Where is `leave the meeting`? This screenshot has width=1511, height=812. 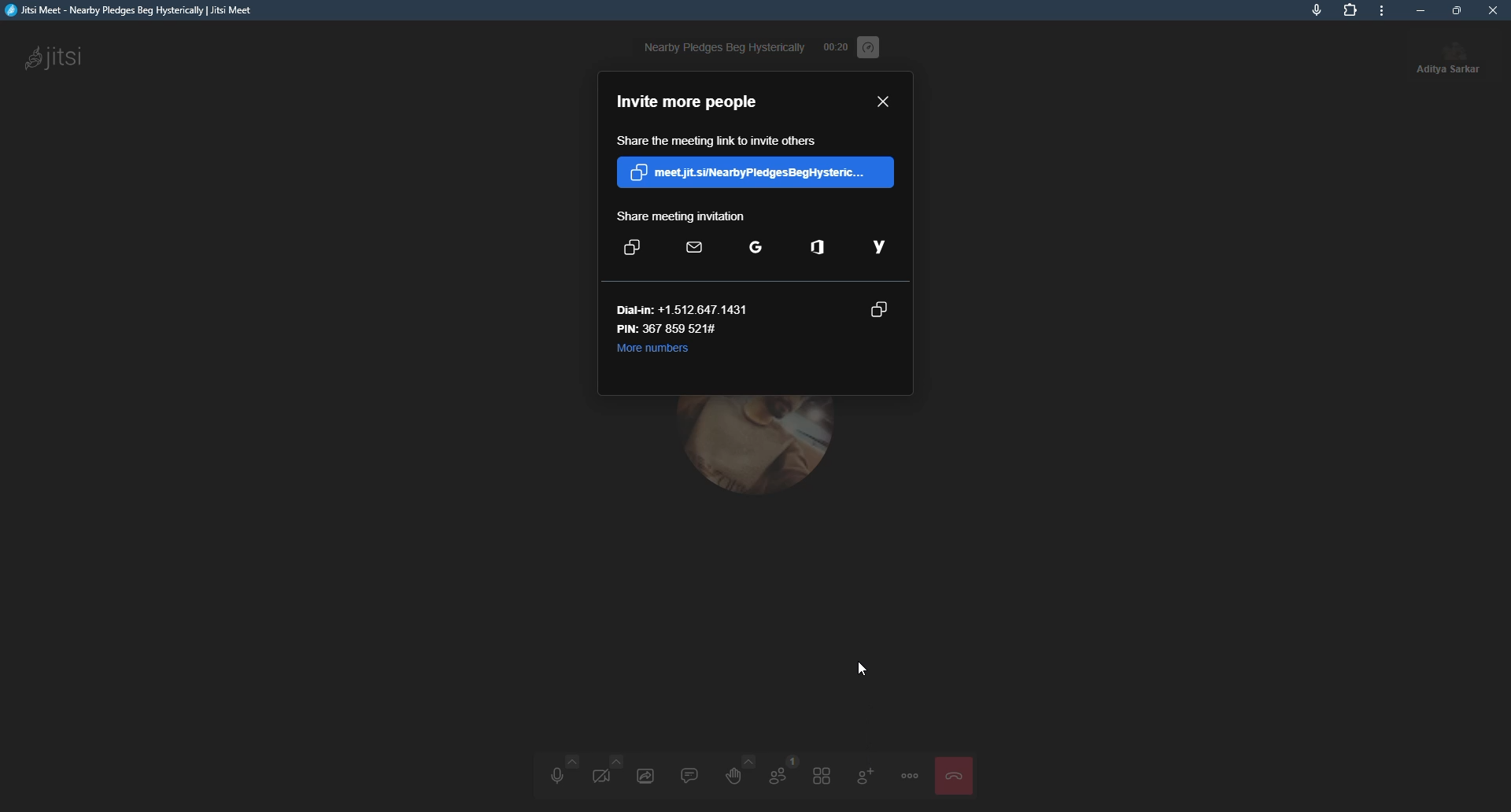 leave the meeting is located at coordinates (955, 776).